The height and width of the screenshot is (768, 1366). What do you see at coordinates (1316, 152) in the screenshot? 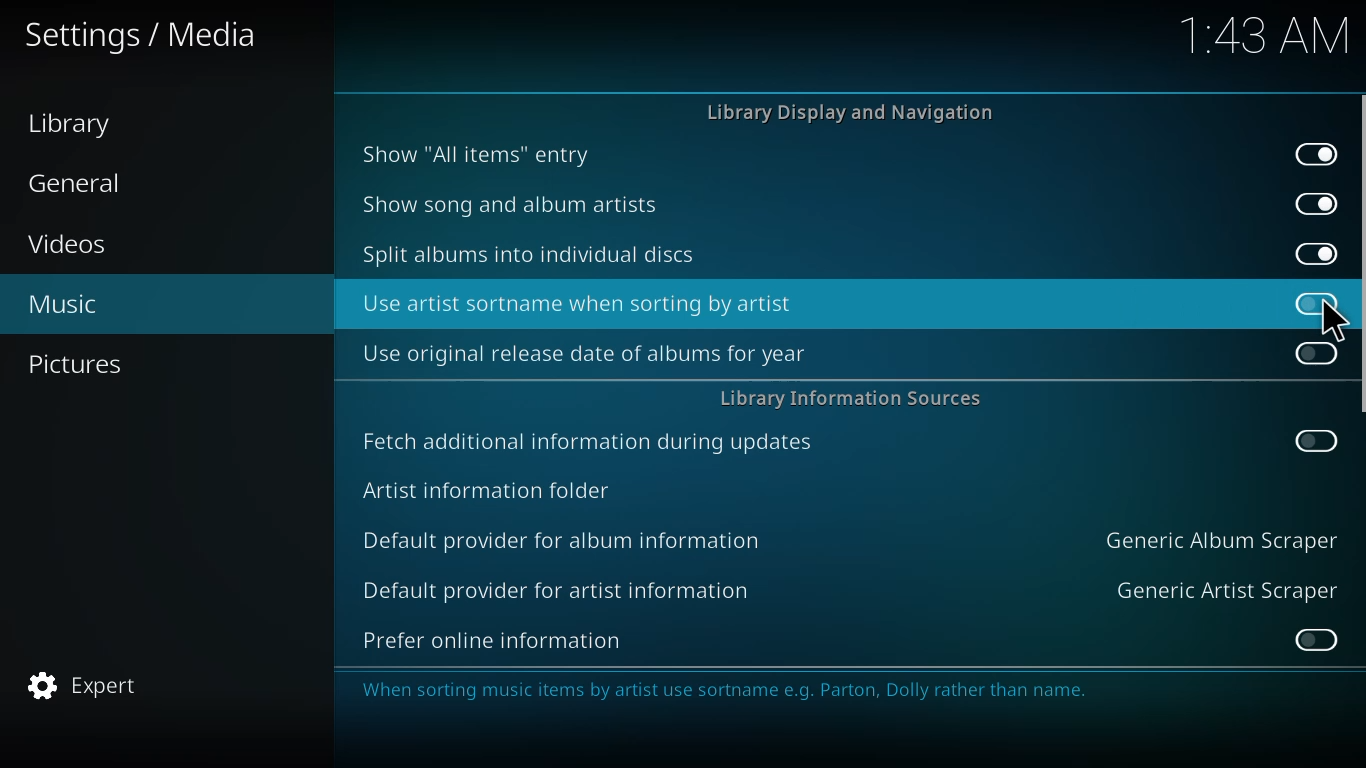
I see `enabled` at bounding box center [1316, 152].